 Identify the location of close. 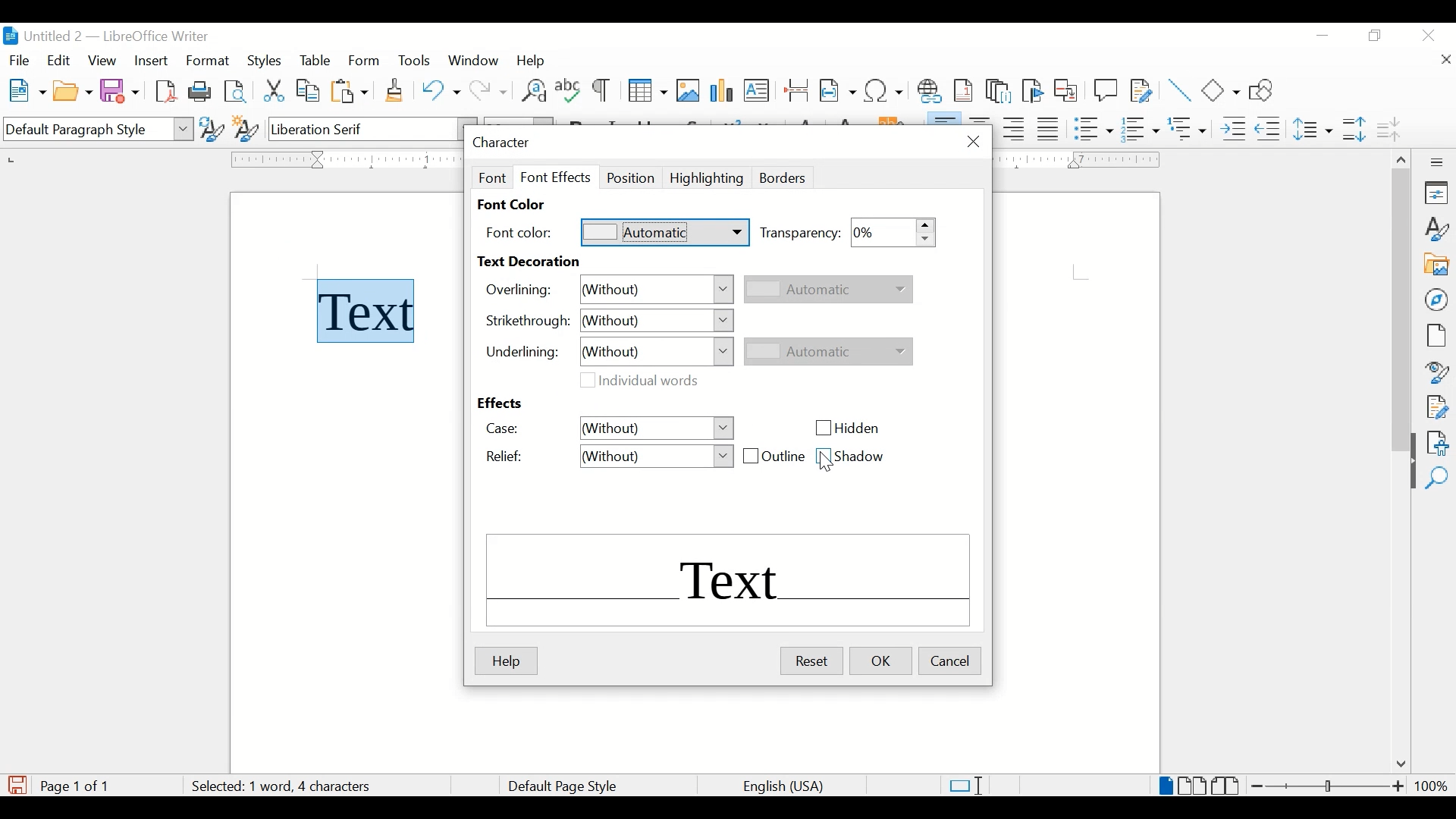
(1445, 61).